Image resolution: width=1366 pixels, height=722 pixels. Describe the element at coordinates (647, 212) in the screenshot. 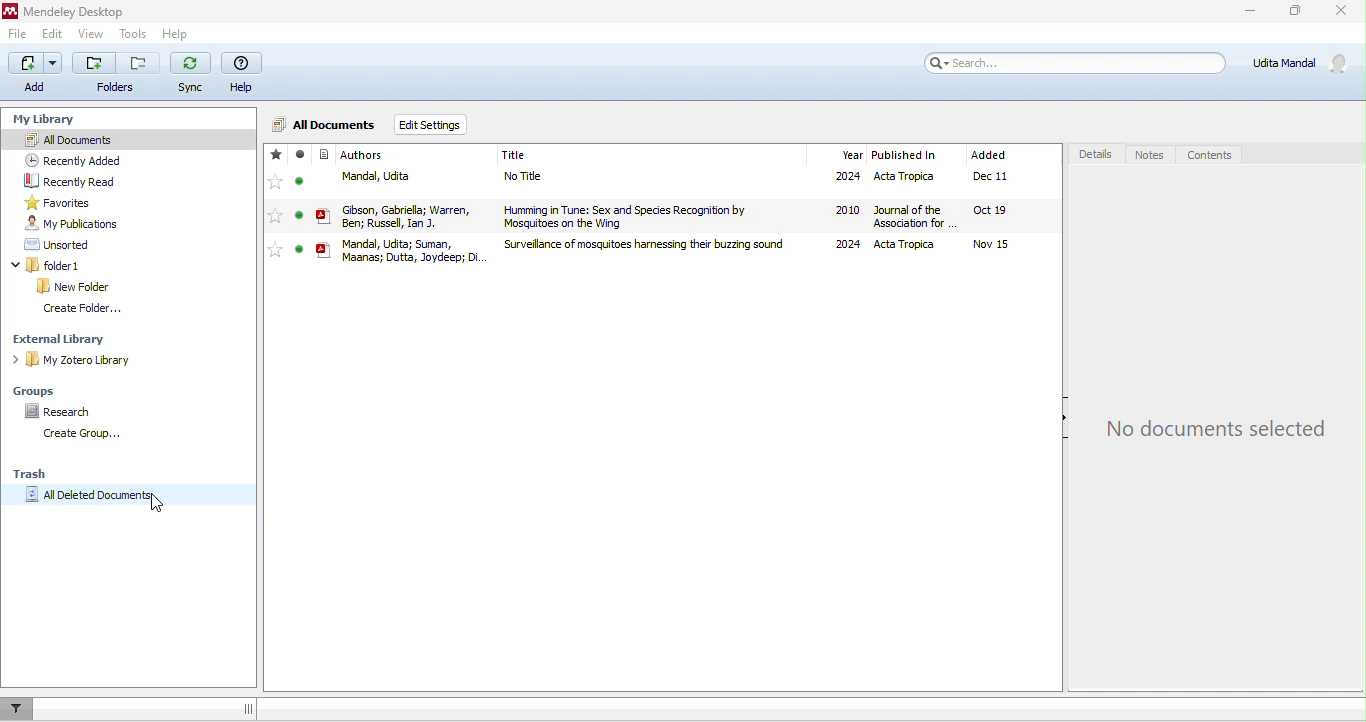

I see `No Title:

Humming in Tune: Sex and Specs Recogriton by
Moscuitoes on the Wing

‘Survellance of mosquitoes hamessing ther buzzing sound` at that location.